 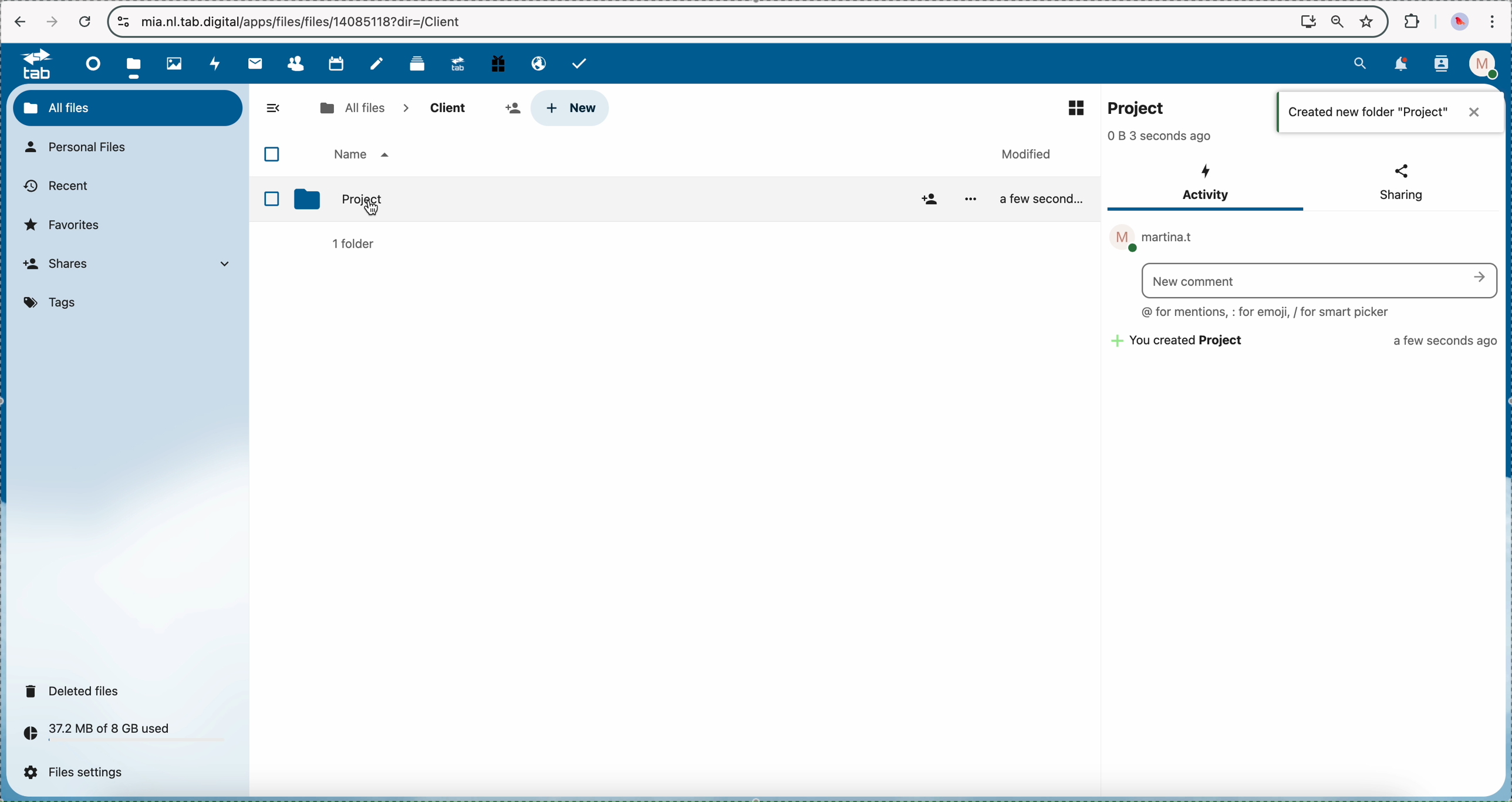 What do you see at coordinates (272, 155) in the screenshot?
I see `Checkbox` at bounding box center [272, 155].